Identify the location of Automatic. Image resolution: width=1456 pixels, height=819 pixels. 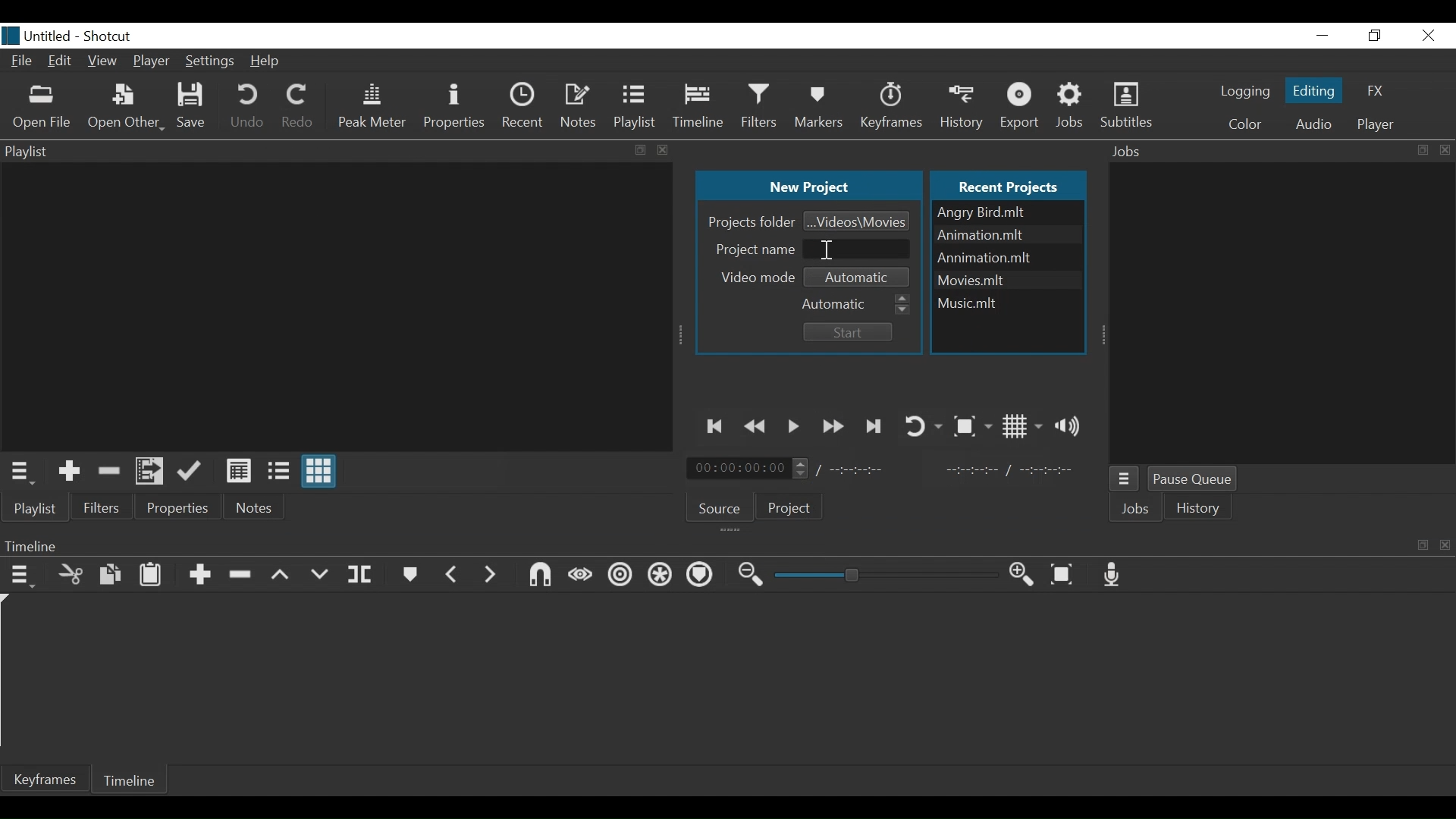
(861, 275).